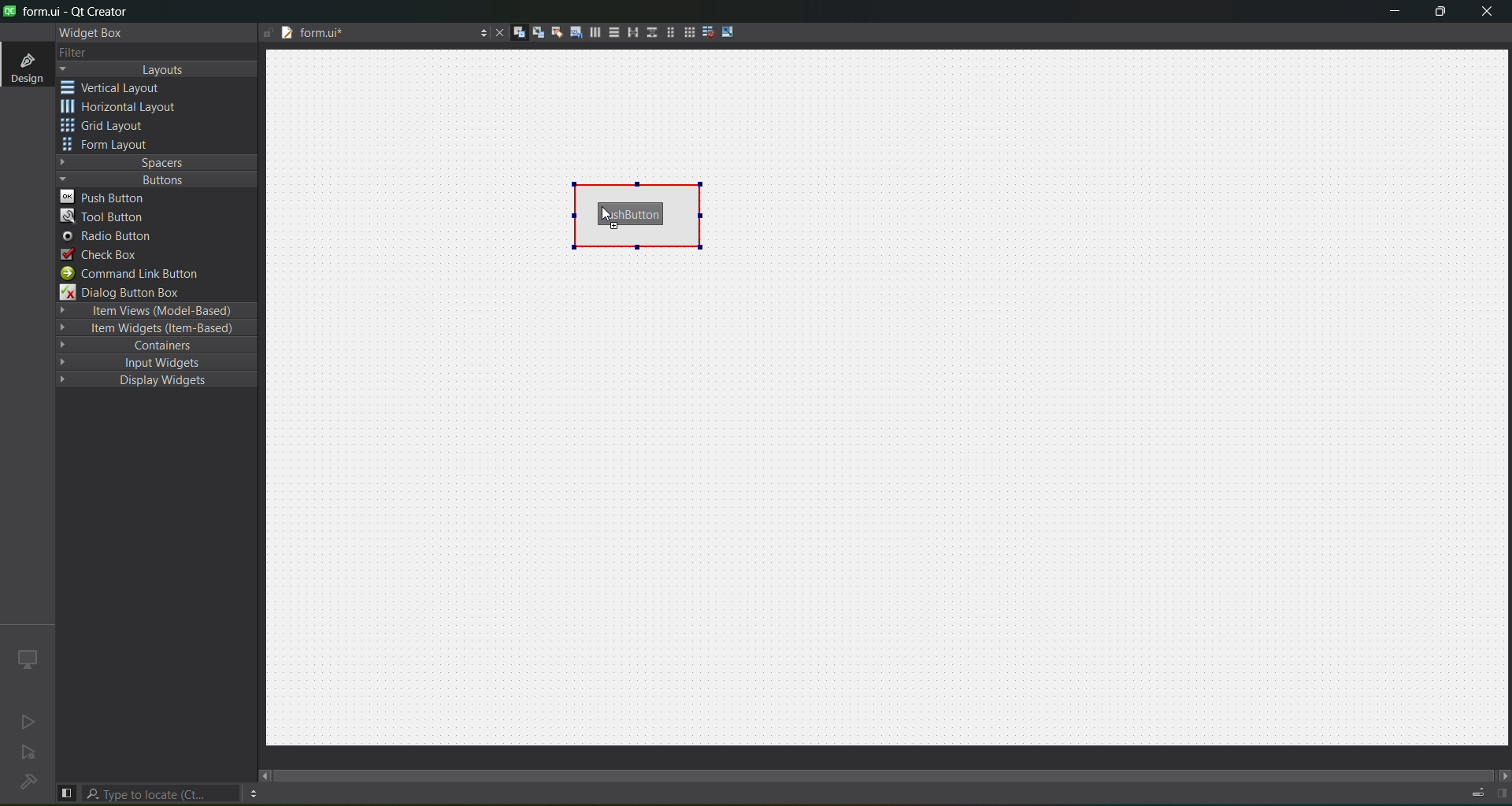  Describe the element at coordinates (154, 331) in the screenshot. I see `item widgets` at that location.